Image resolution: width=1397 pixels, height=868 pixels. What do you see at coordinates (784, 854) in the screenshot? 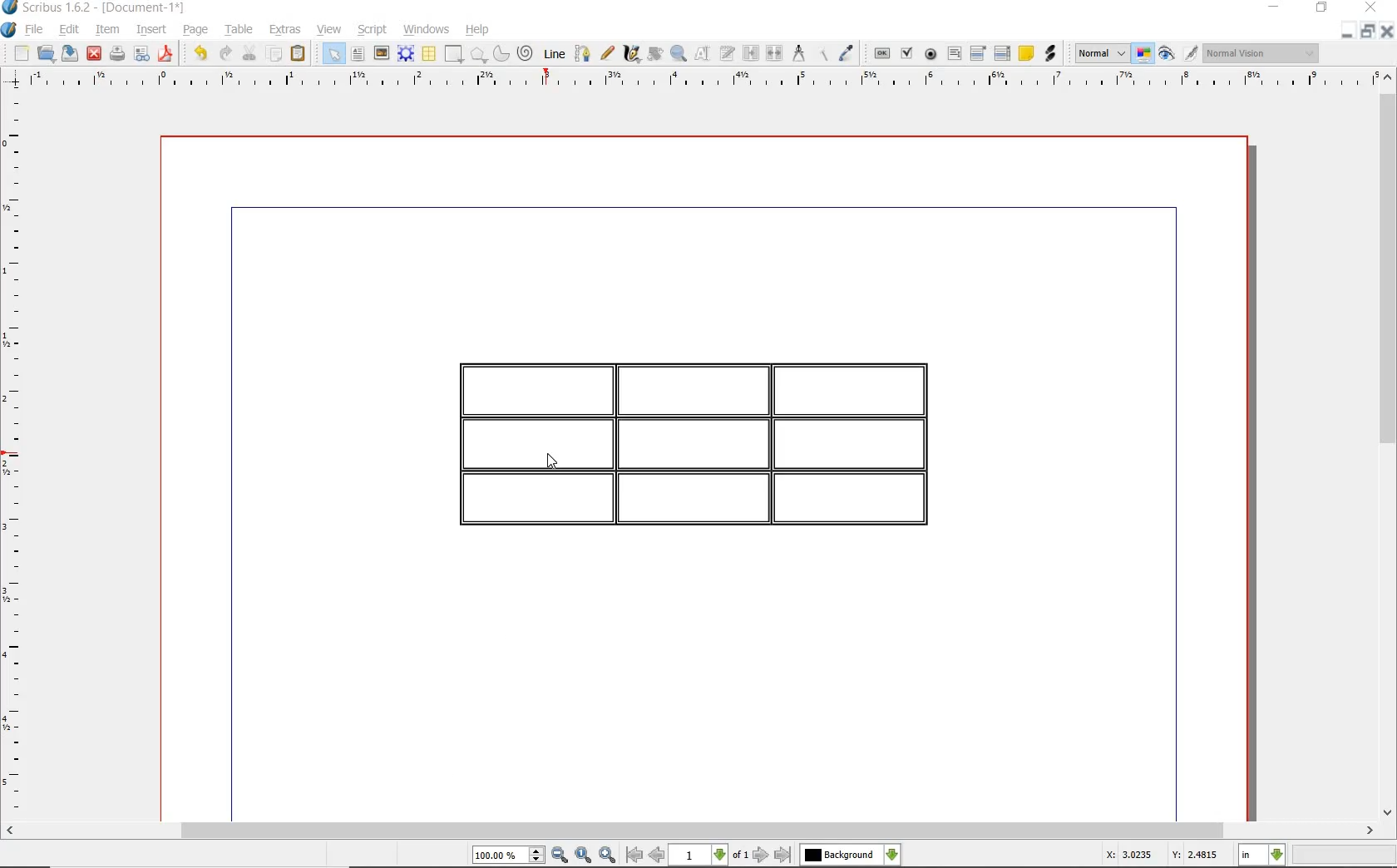
I see `go to last page` at bounding box center [784, 854].